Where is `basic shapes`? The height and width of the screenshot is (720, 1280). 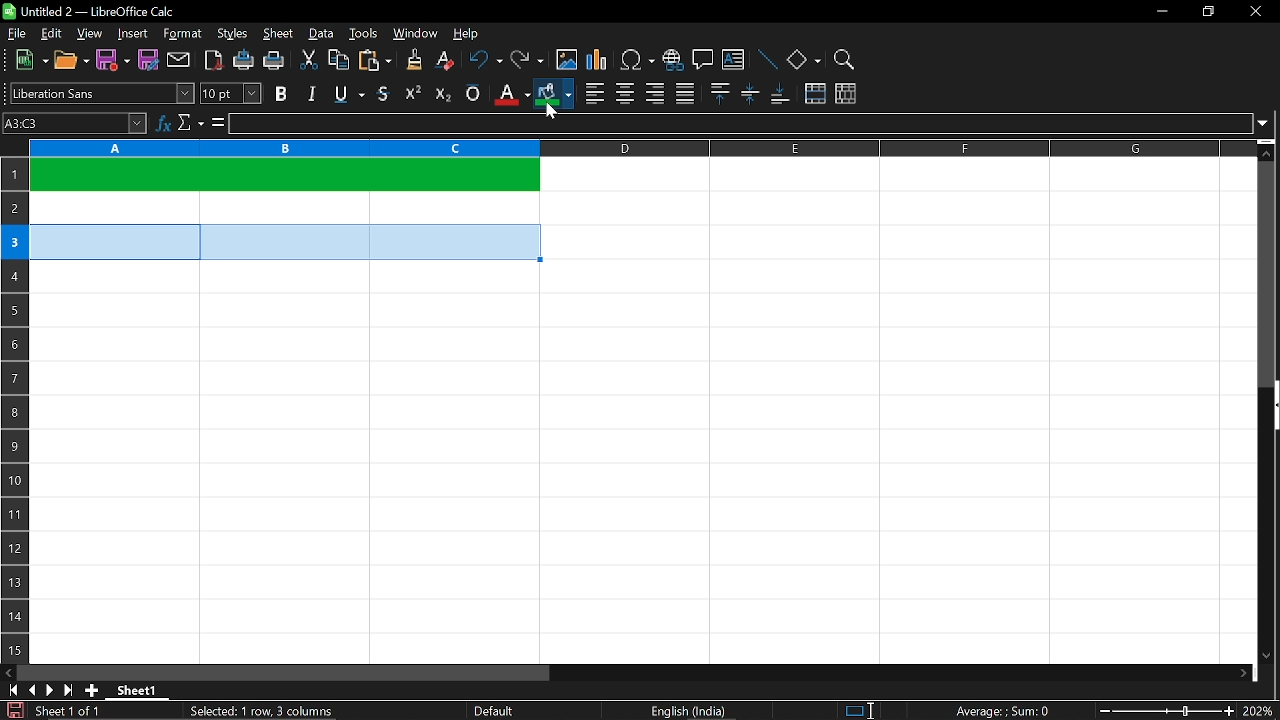 basic shapes is located at coordinates (804, 59).